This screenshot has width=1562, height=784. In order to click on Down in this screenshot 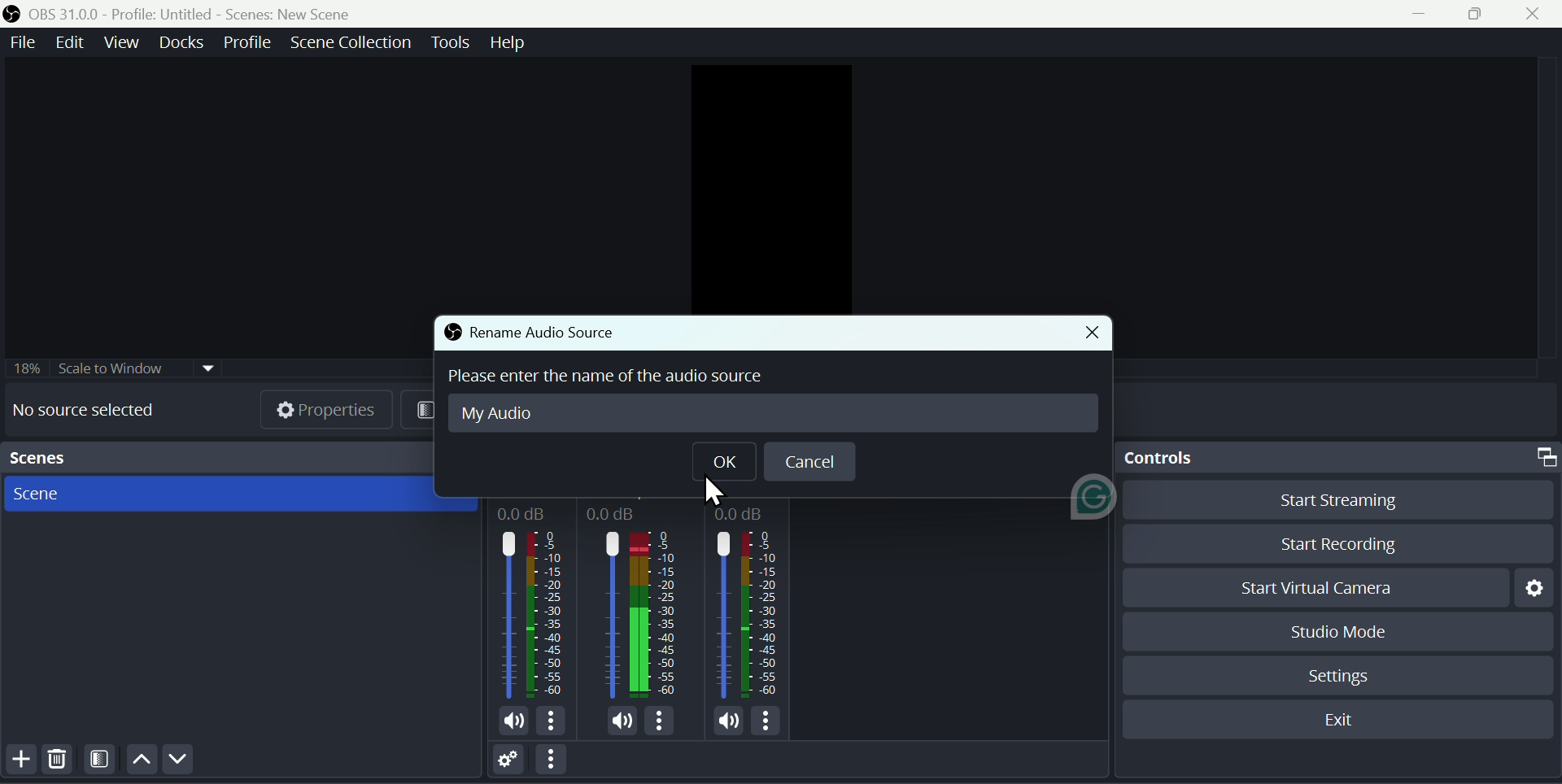, I will do `click(184, 760)`.